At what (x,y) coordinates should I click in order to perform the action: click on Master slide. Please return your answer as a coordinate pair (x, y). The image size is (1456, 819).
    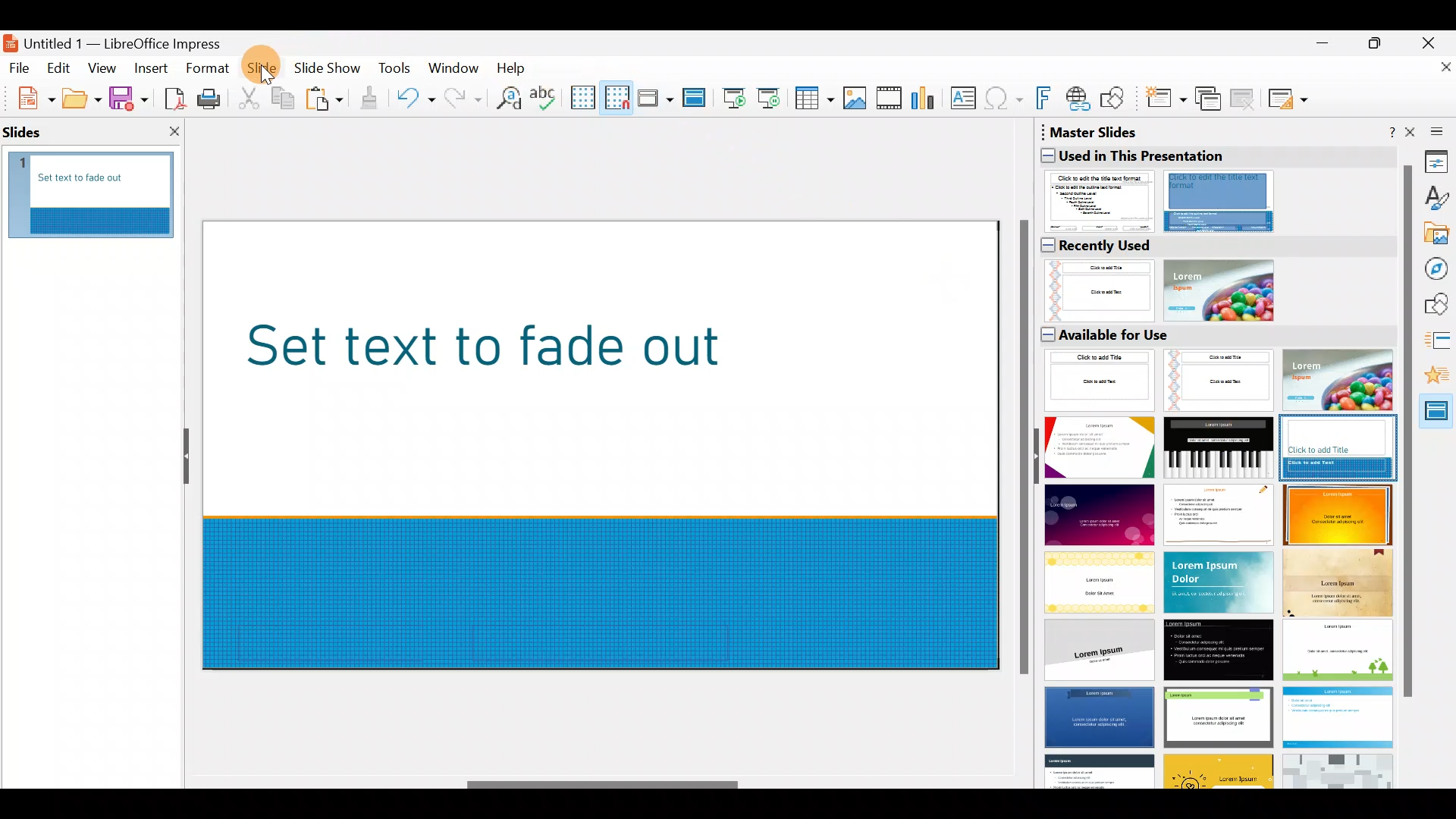
    Looking at the image, I should click on (696, 99).